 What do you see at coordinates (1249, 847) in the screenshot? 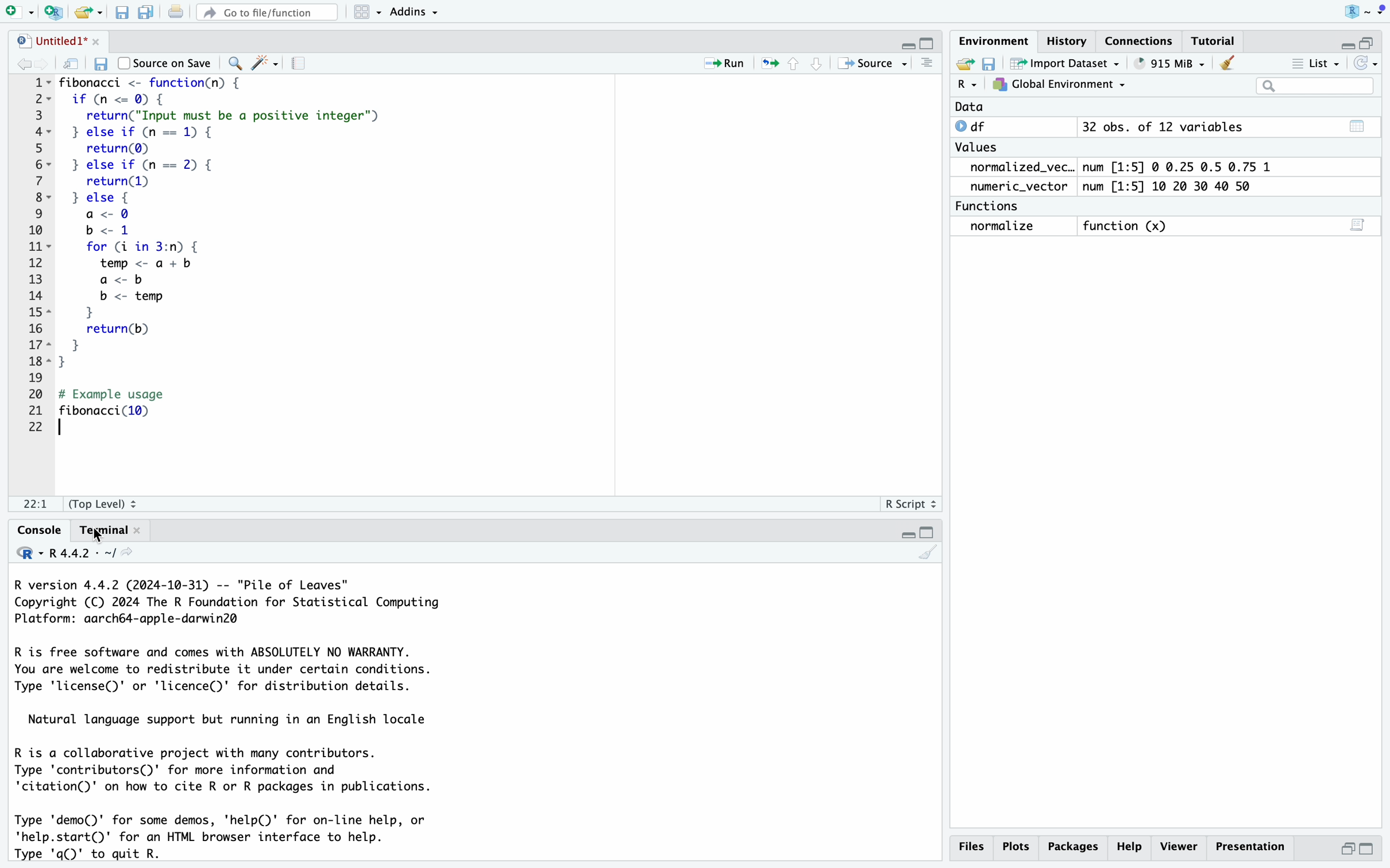
I see `presentation` at bounding box center [1249, 847].